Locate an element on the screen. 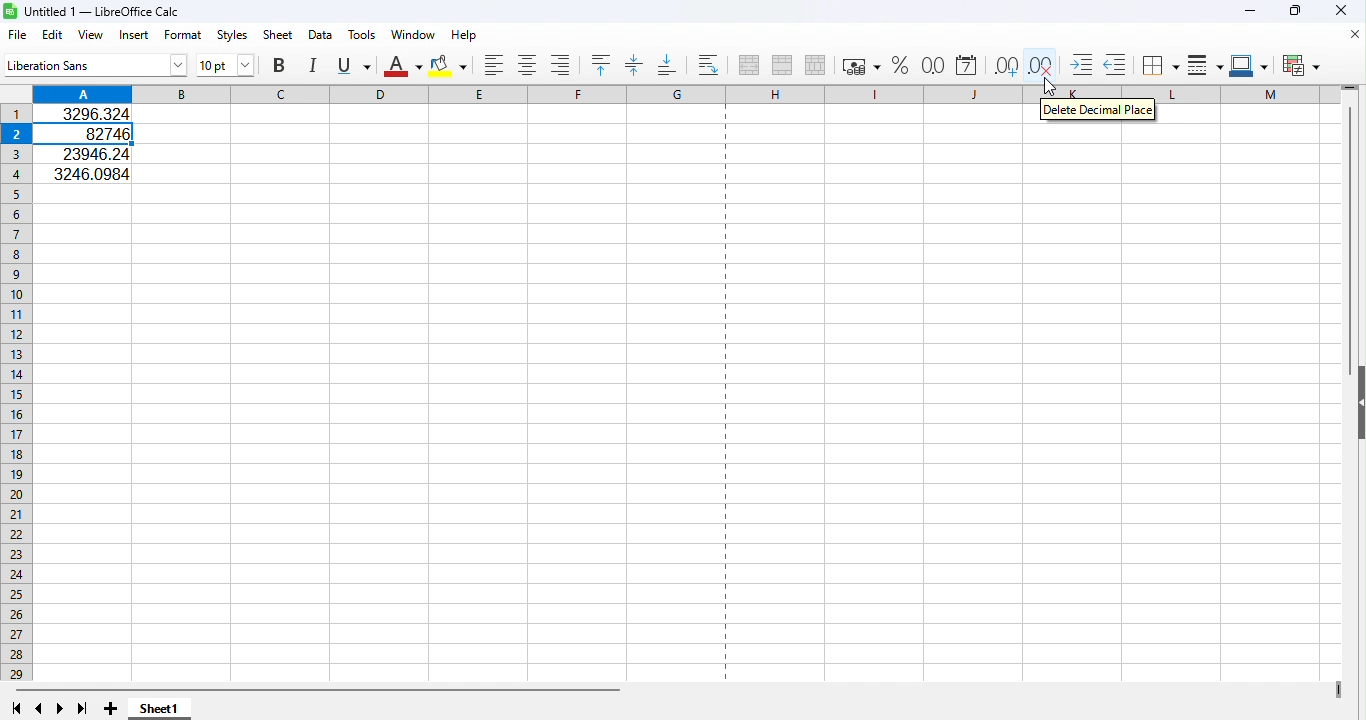  Data is located at coordinates (319, 36).